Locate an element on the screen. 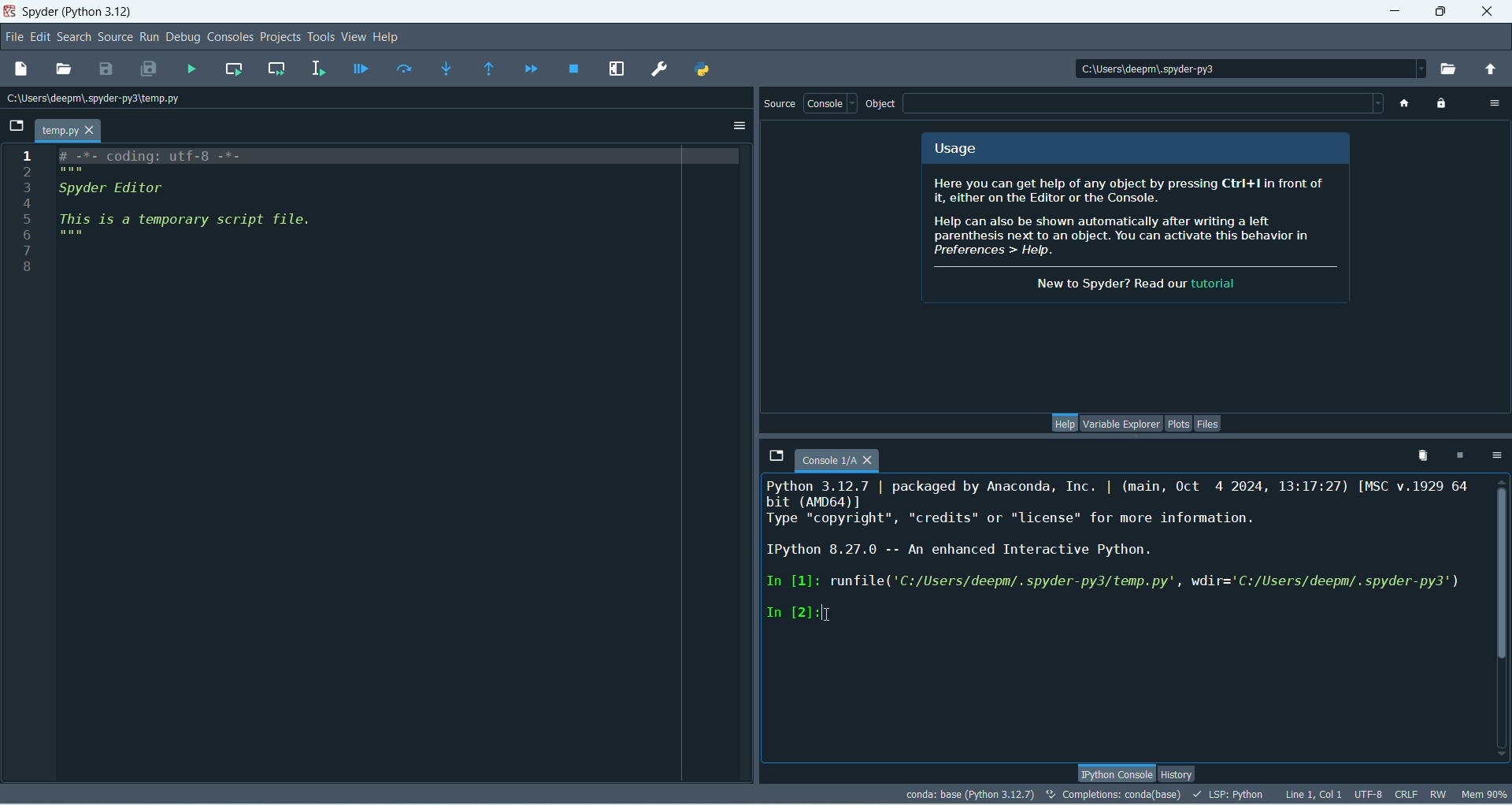 The height and width of the screenshot is (805, 1512). new is located at coordinates (21, 69).